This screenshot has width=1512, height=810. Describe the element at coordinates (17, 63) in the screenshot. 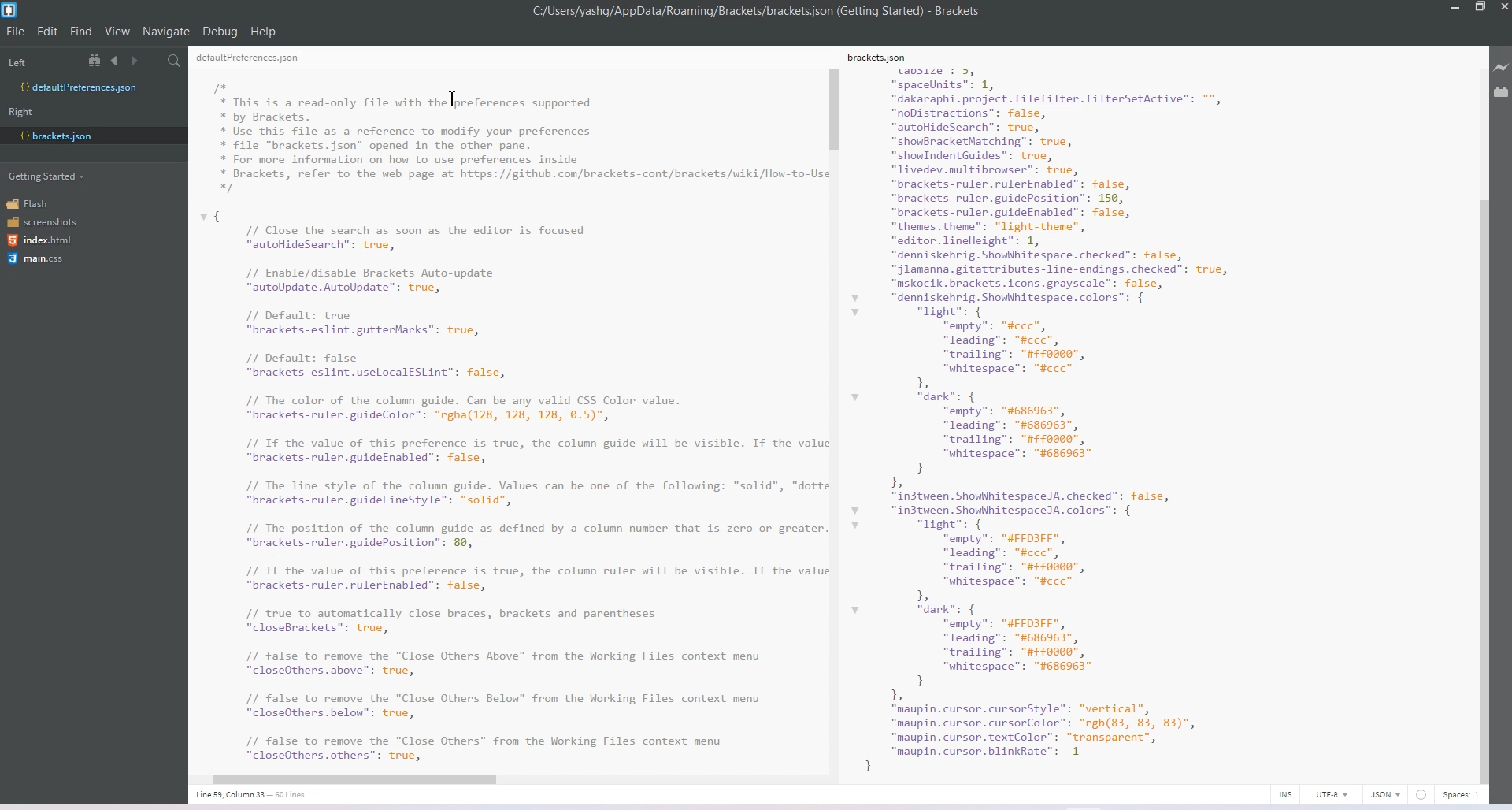

I see `Left` at that location.